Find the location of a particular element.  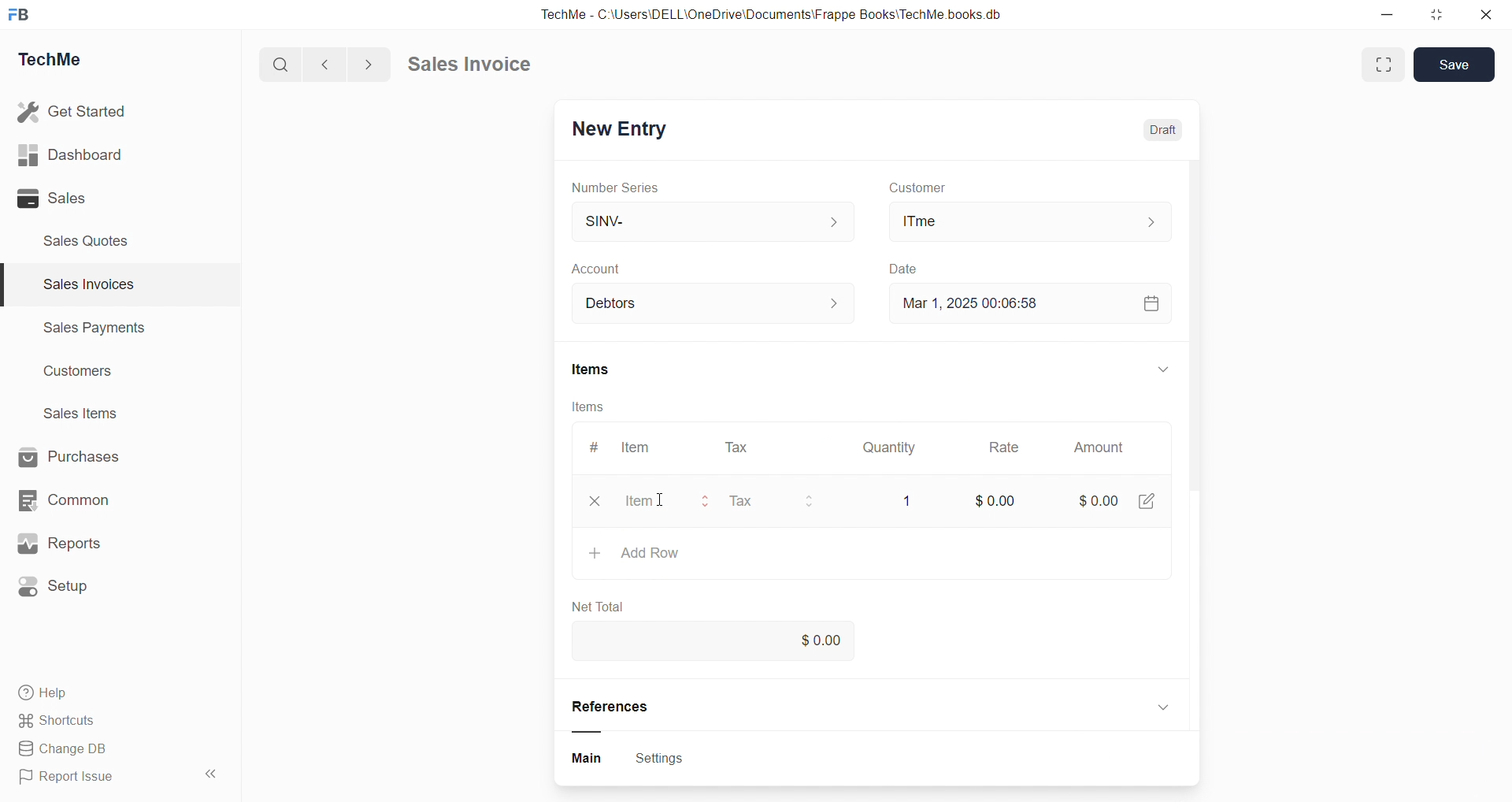

doopdown is located at coordinates (1161, 366).